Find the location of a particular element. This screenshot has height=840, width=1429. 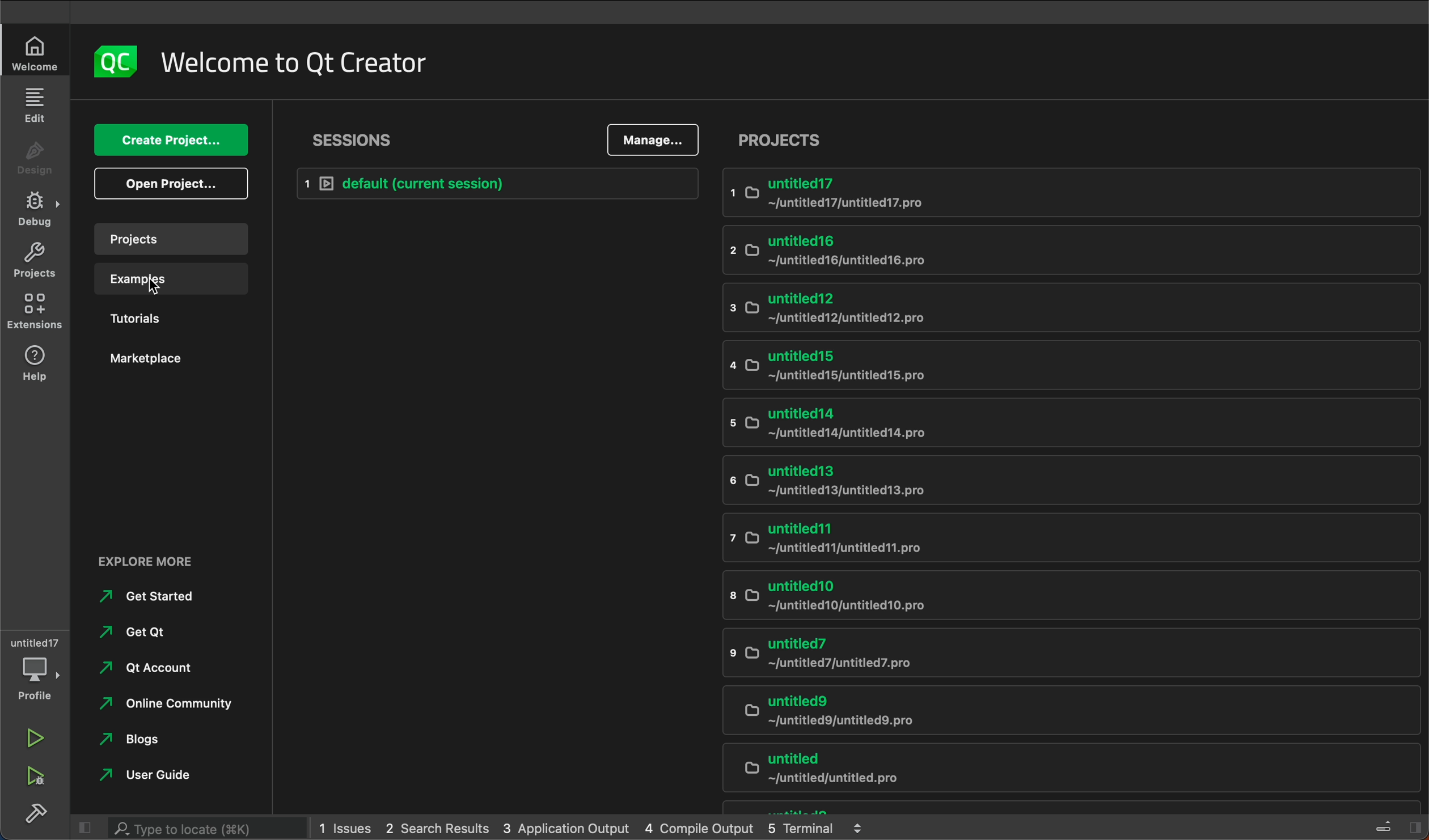

help is located at coordinates (35, 368).